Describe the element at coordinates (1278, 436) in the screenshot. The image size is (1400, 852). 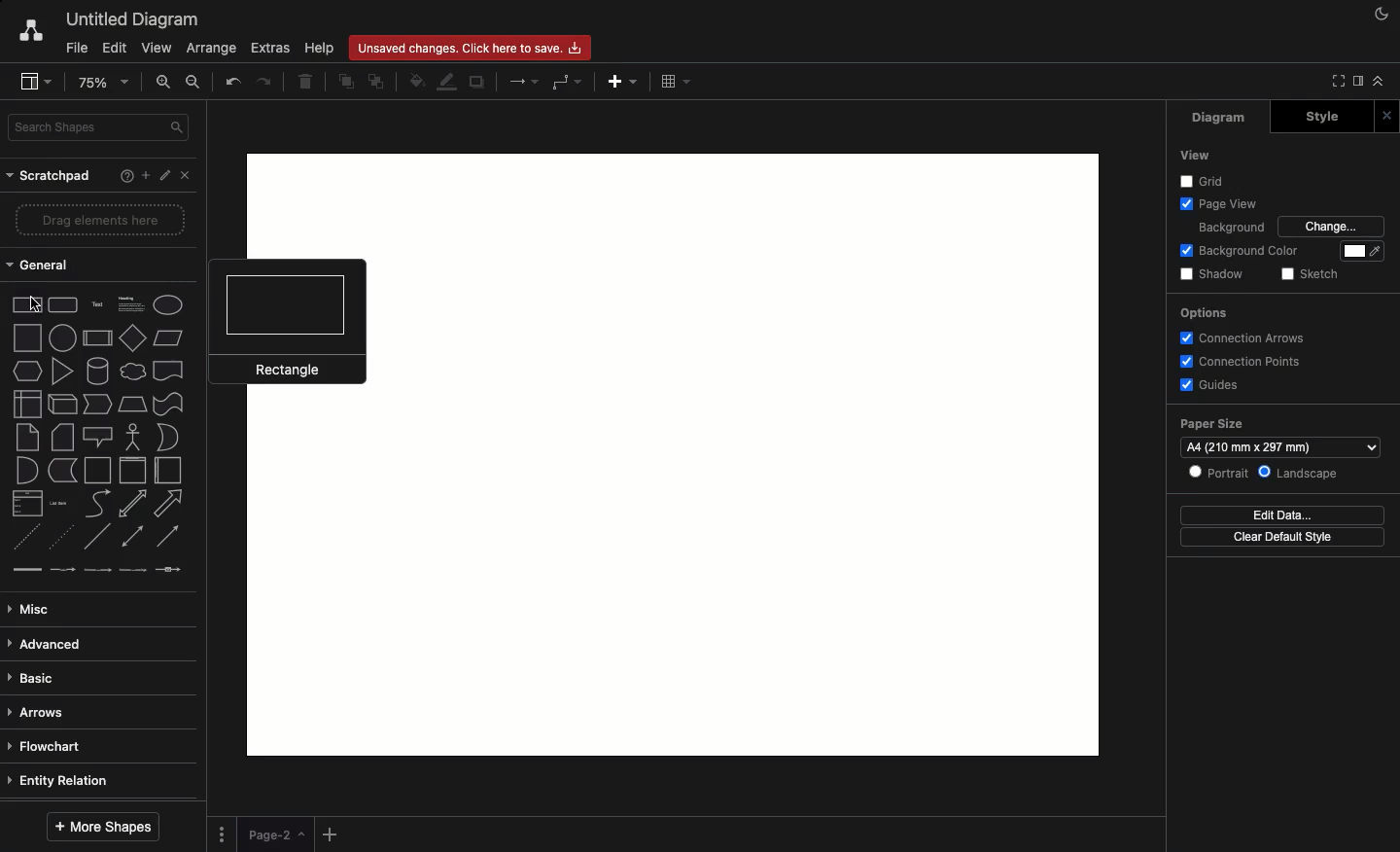
I see `Paper size` at that location.